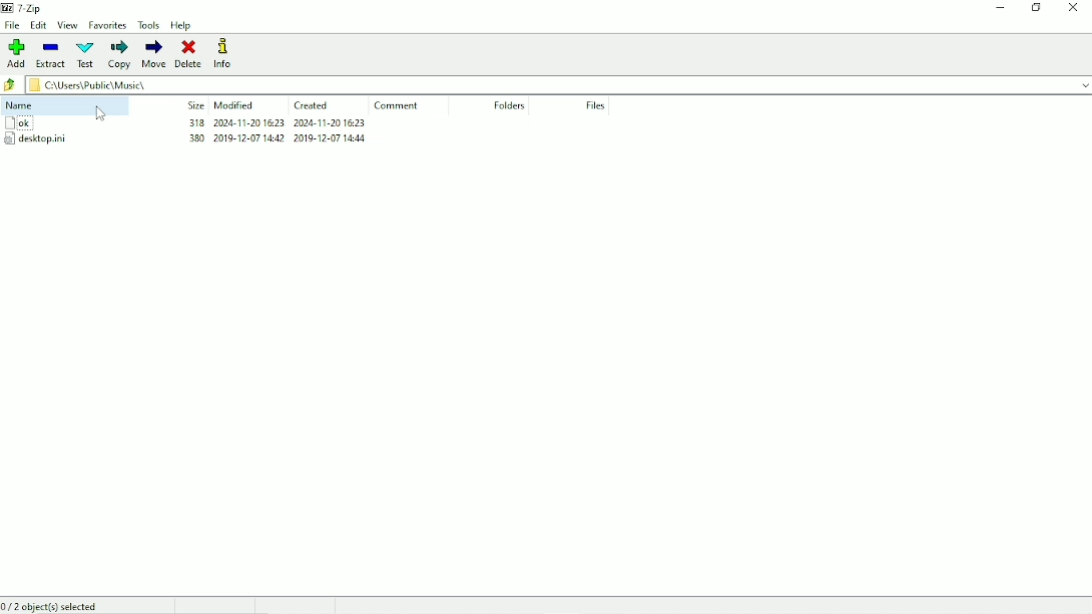 The height and width of the screenshot is (614, 1092). What do you see at coordinates (94, 86) in the screenshot?
I see `C:\Users\Public\Music\.` at bounding box center [94, 86].